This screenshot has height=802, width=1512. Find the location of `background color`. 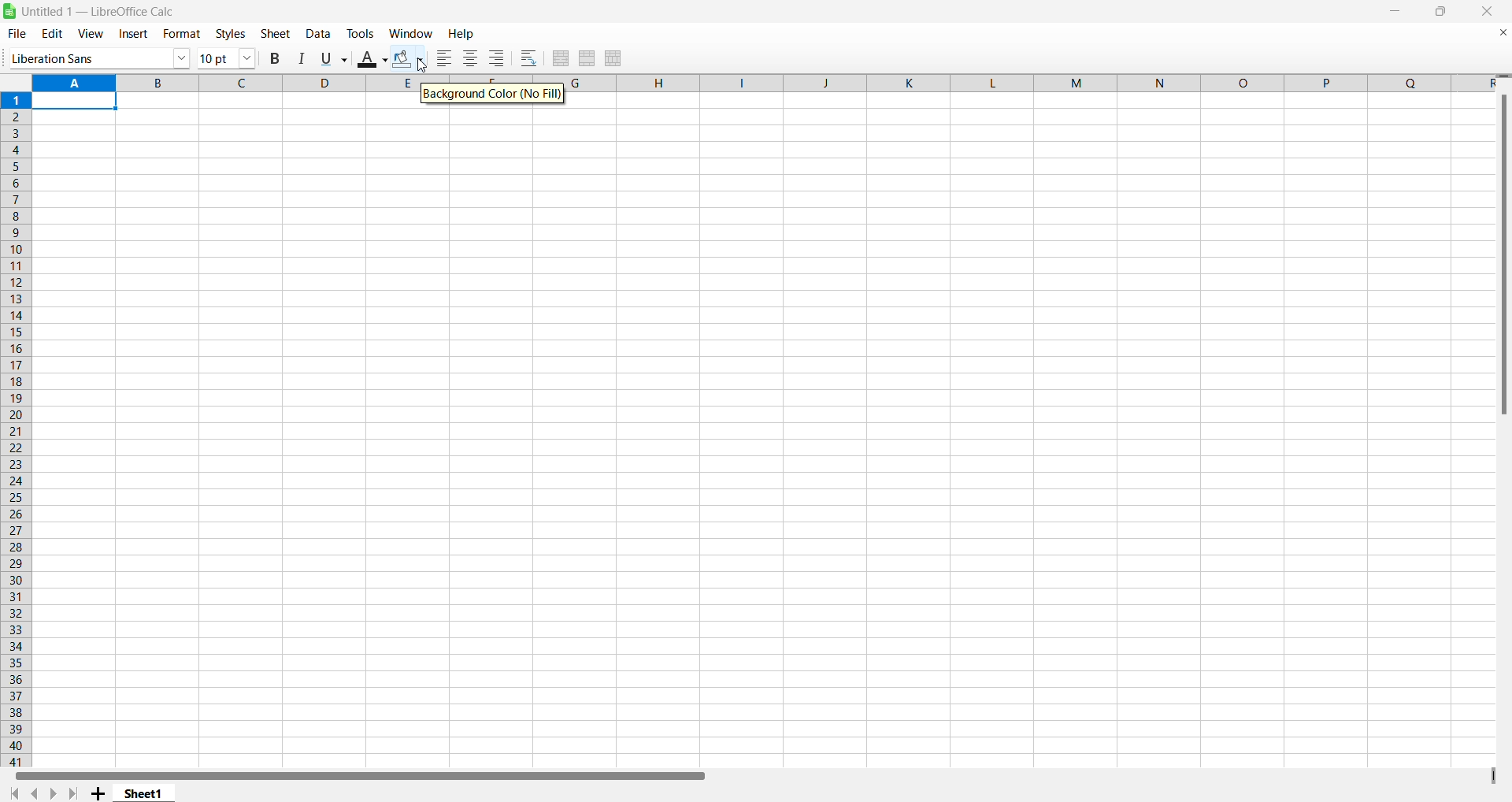

background color is located at coordinates (406, 57).